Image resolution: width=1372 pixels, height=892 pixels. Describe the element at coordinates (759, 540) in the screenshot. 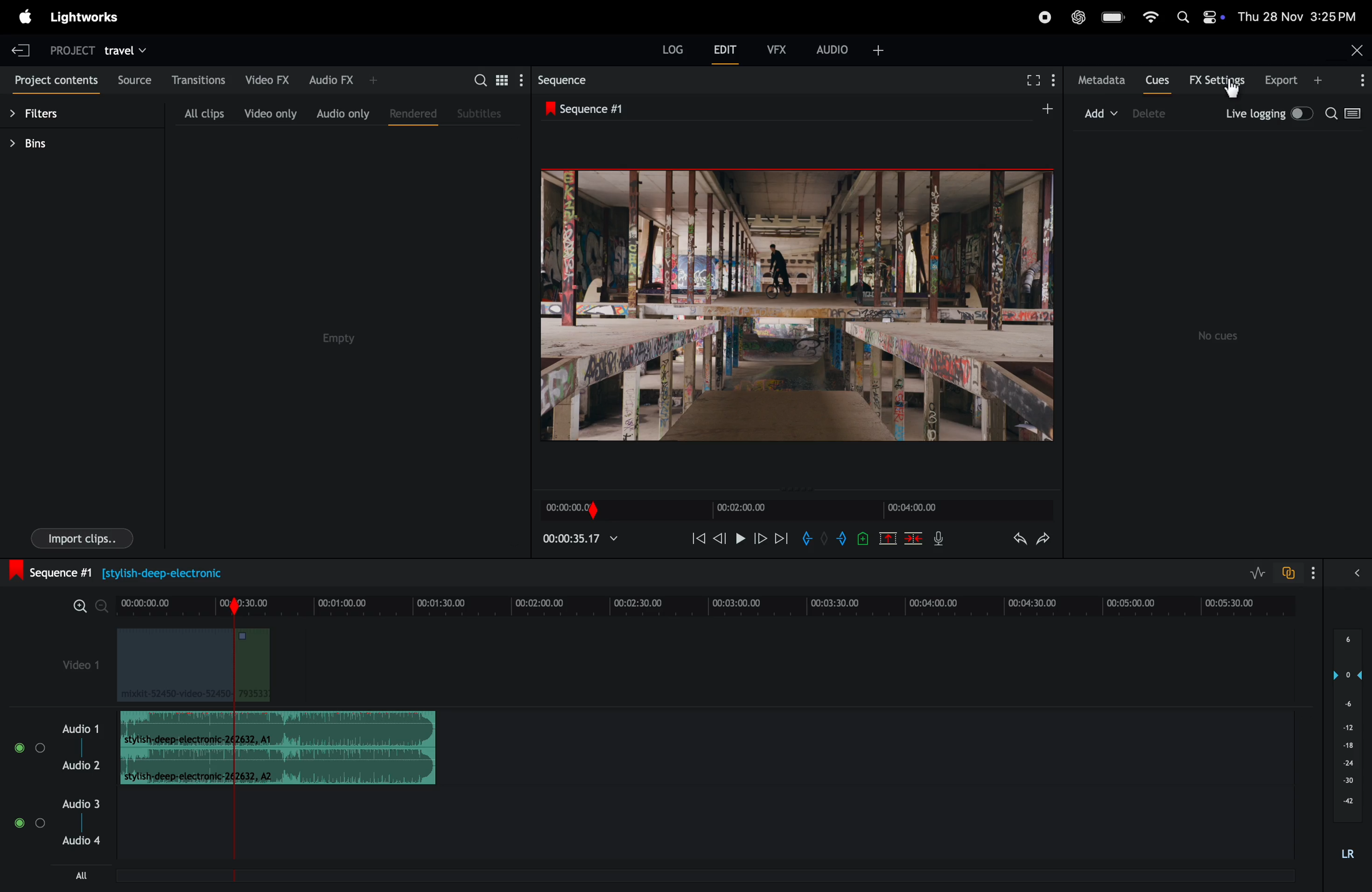

I see `next frame` at that location.